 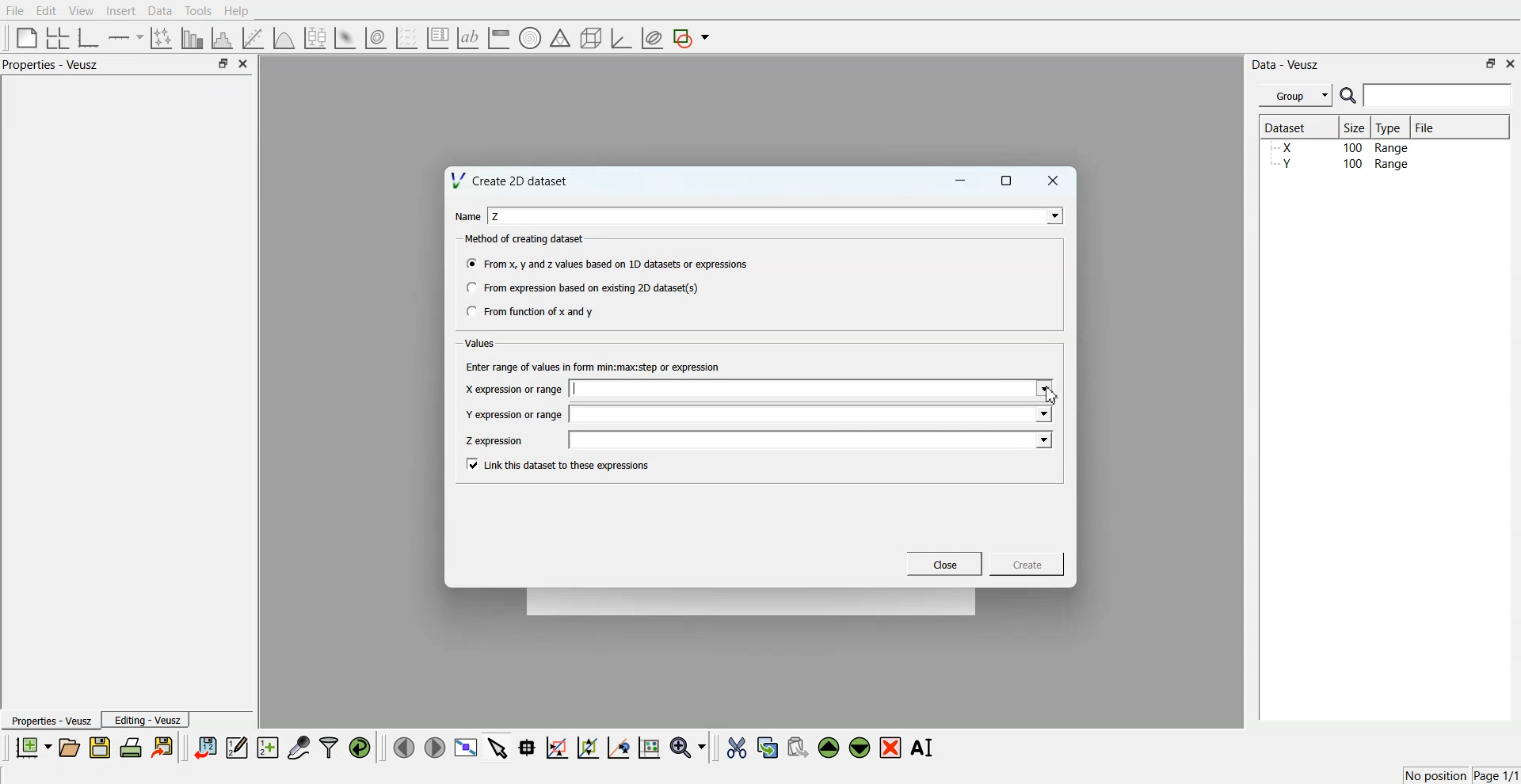 I want to click on Drop down, so click(x=1042, y=390).